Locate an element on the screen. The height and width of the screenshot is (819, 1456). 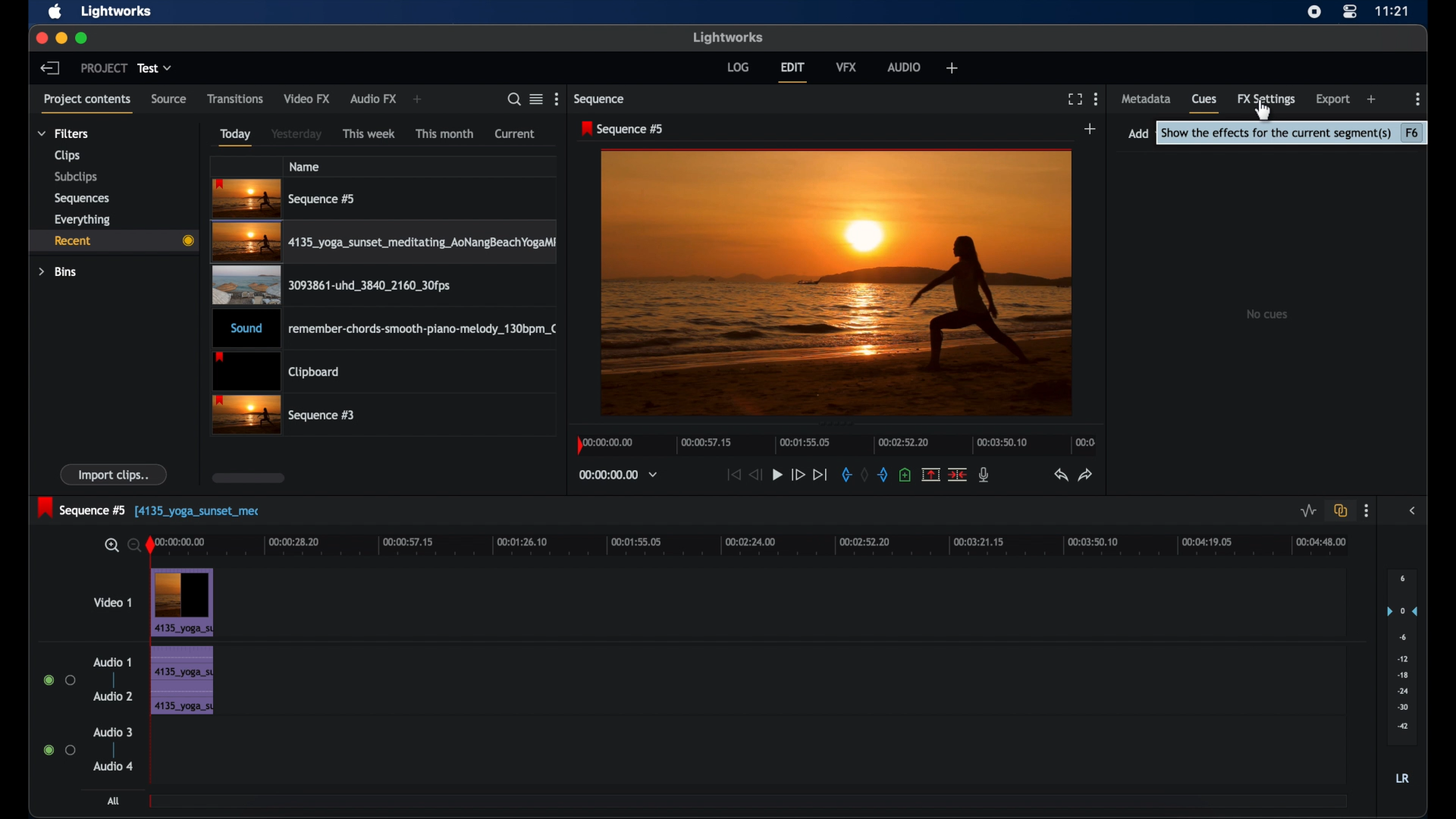
maximize is located at coordinates (83, 38).